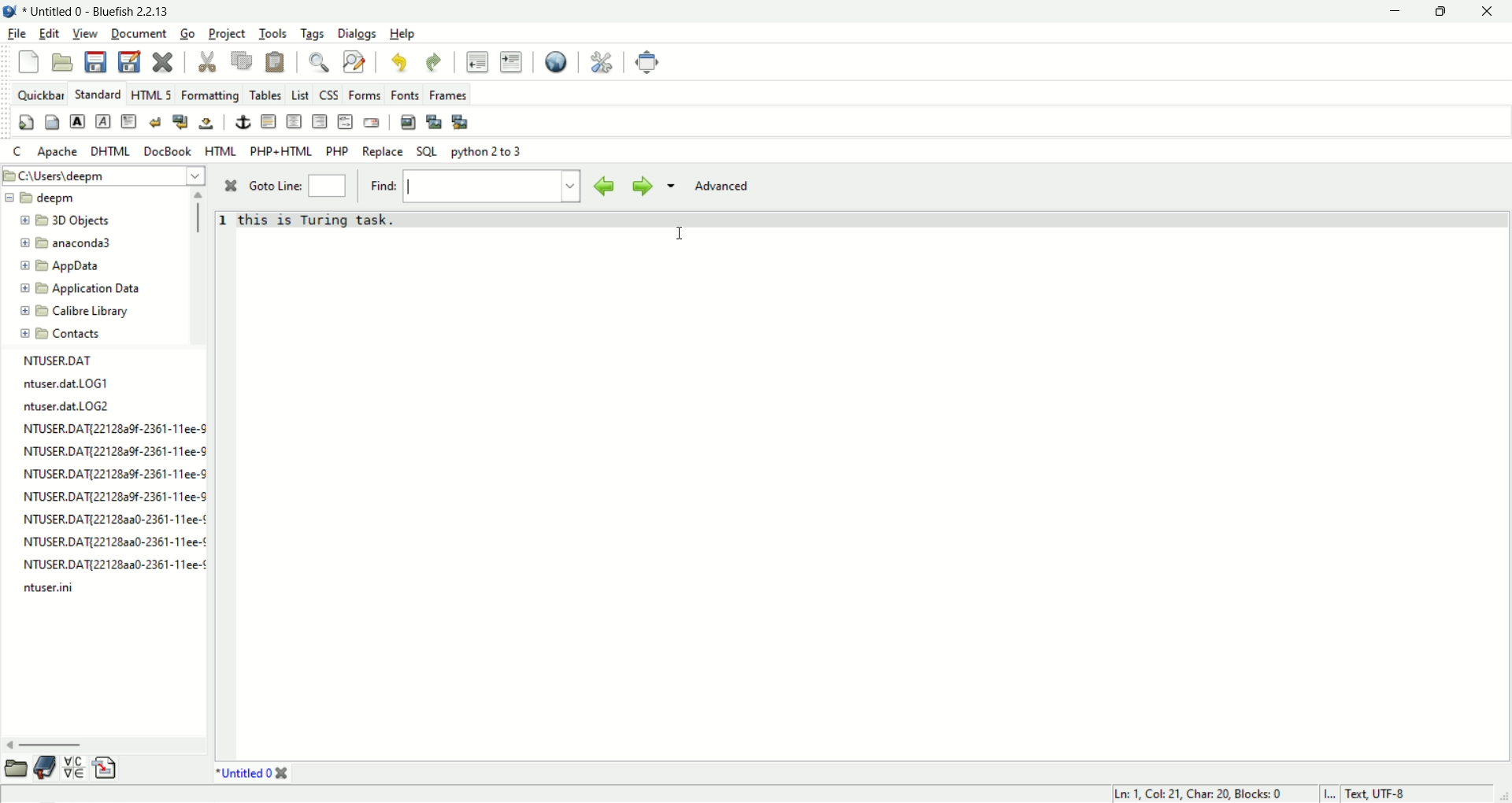 The height and width of the screenshot is (803, 1512). Describe the element at coordinates (106, 9) in the screenshot. I see `* Untitled 0 - Bluefish 2.2.13` at that location.